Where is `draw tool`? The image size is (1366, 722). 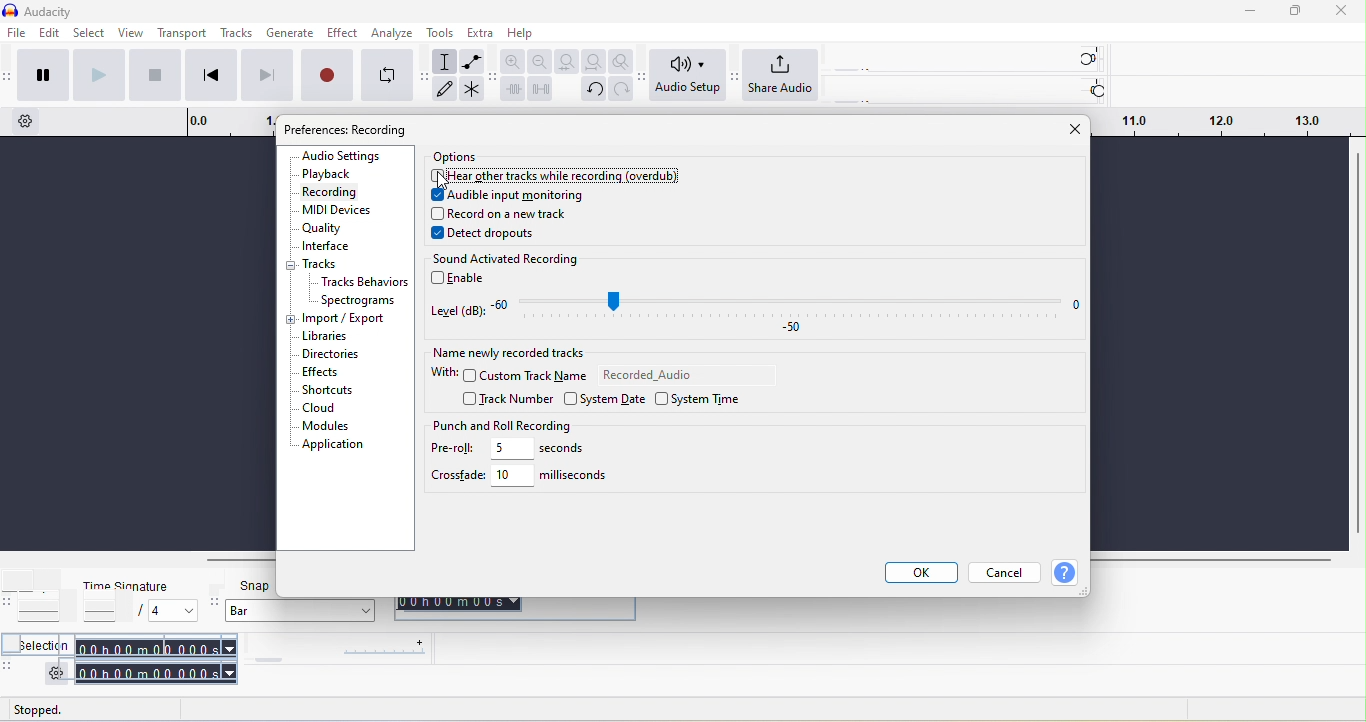 draw tool is located at coordinates (445, 88).